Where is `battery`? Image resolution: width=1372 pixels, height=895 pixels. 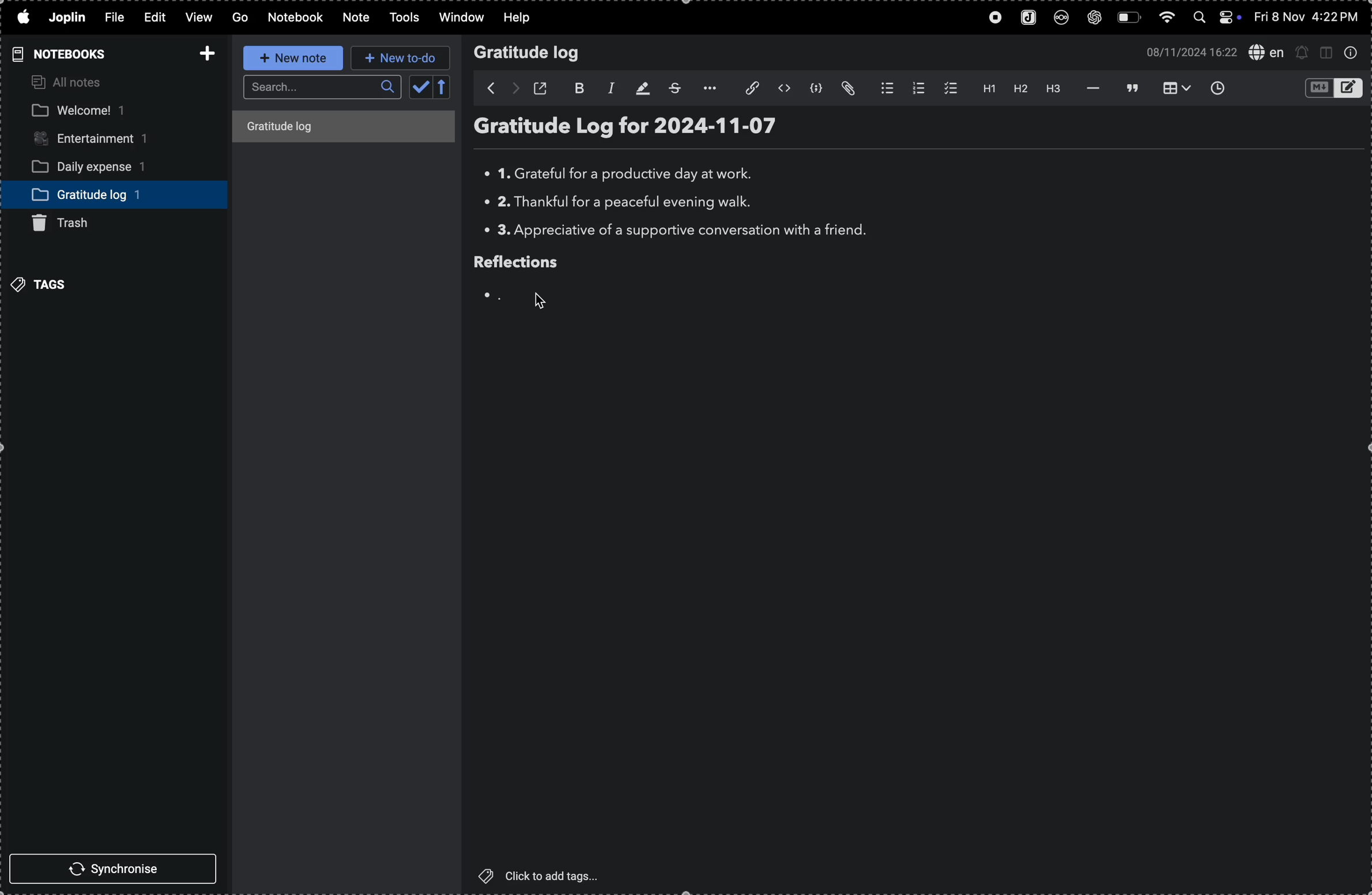 battery is located at coordinates (1128, 17).